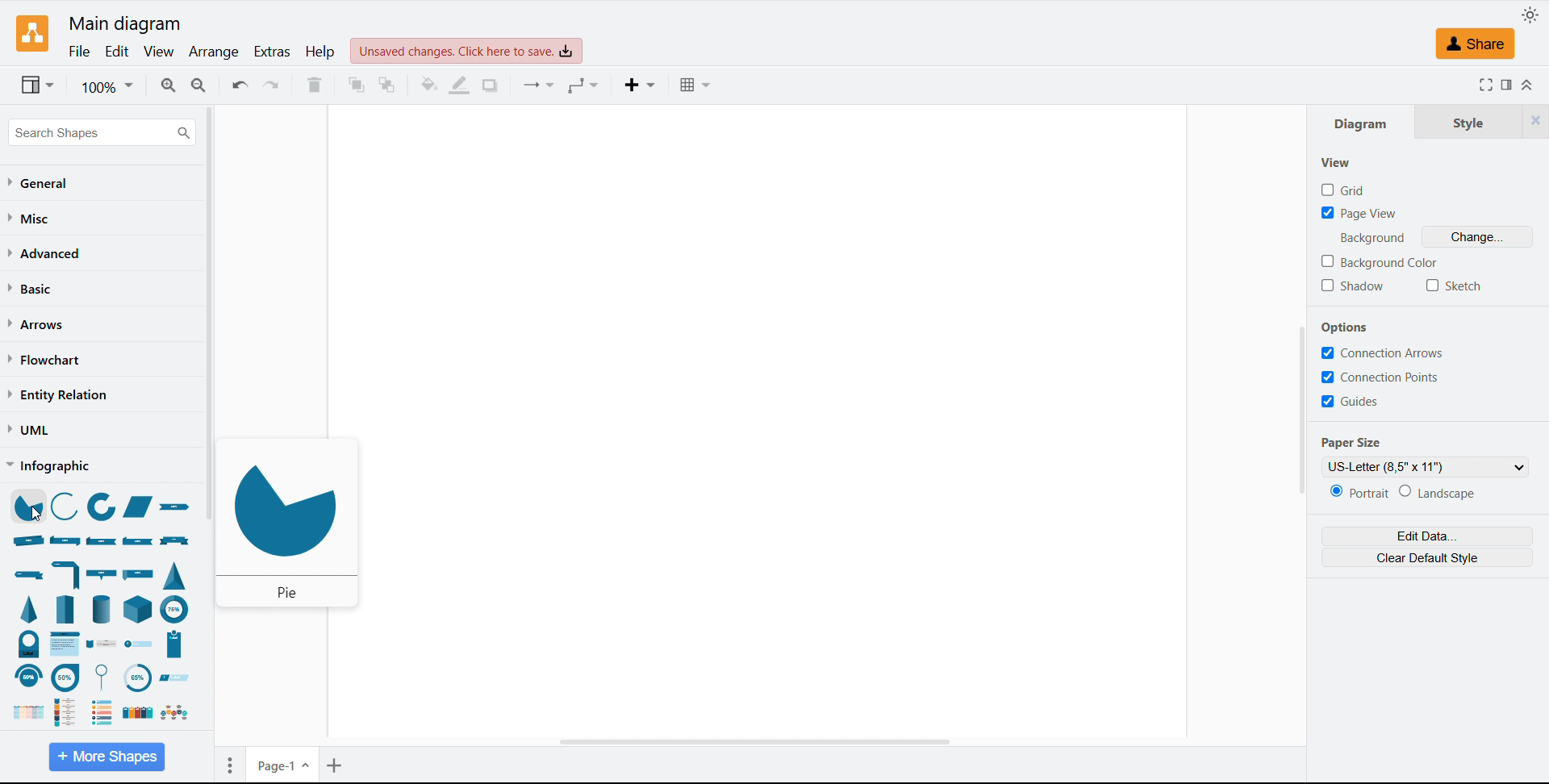 Image resolution: width=1549 pixels, height=784 pixels. What do you see at coordinates (47, 465) in the screenshot?
I see `Infographic ` at bounding box center [47, 465].